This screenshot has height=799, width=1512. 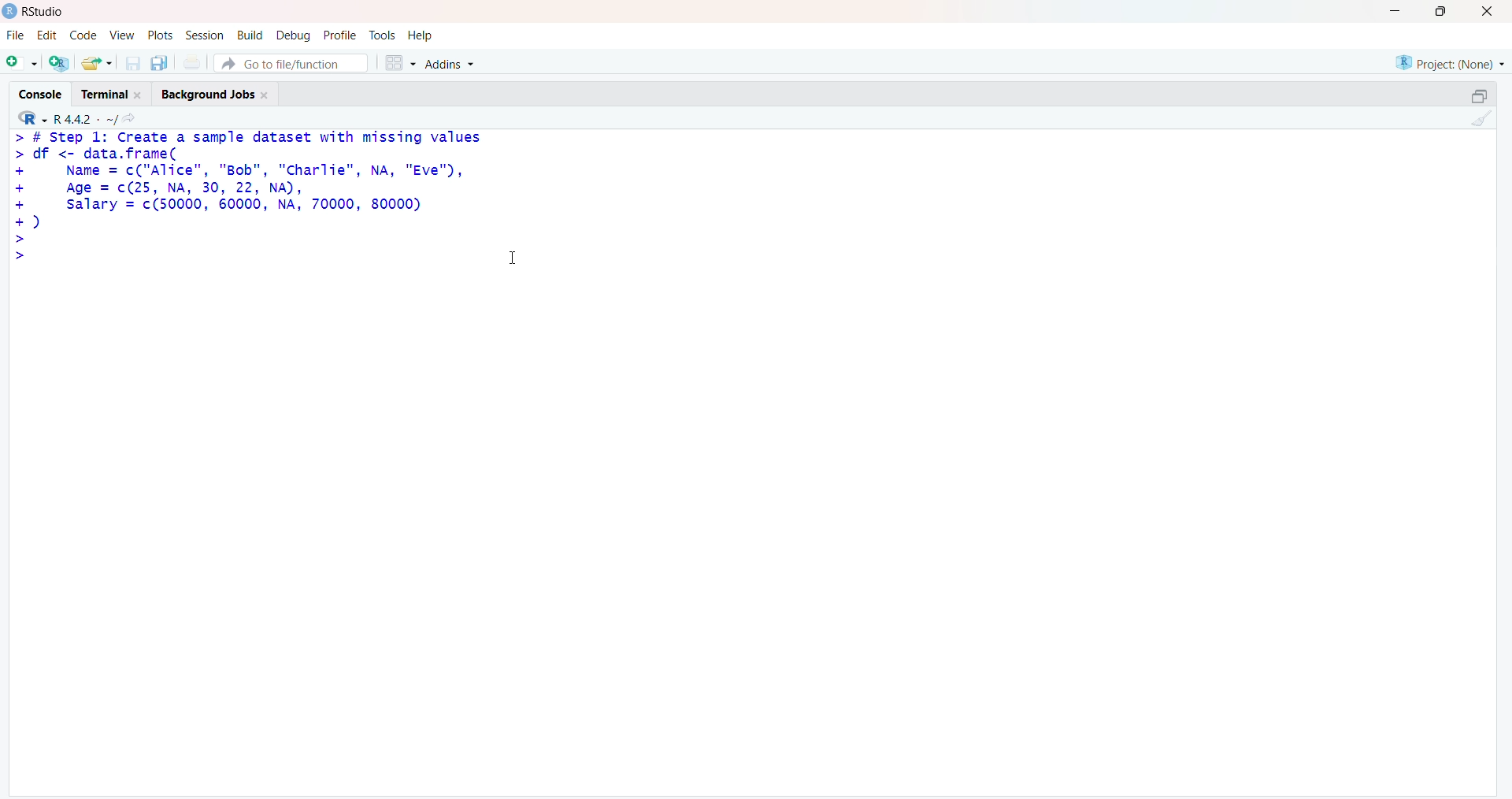 What do you see at coordinates (132, 64) in the screenshot?
I see `Save current document (Ctrl + S)` at bounding box center [132, 64].